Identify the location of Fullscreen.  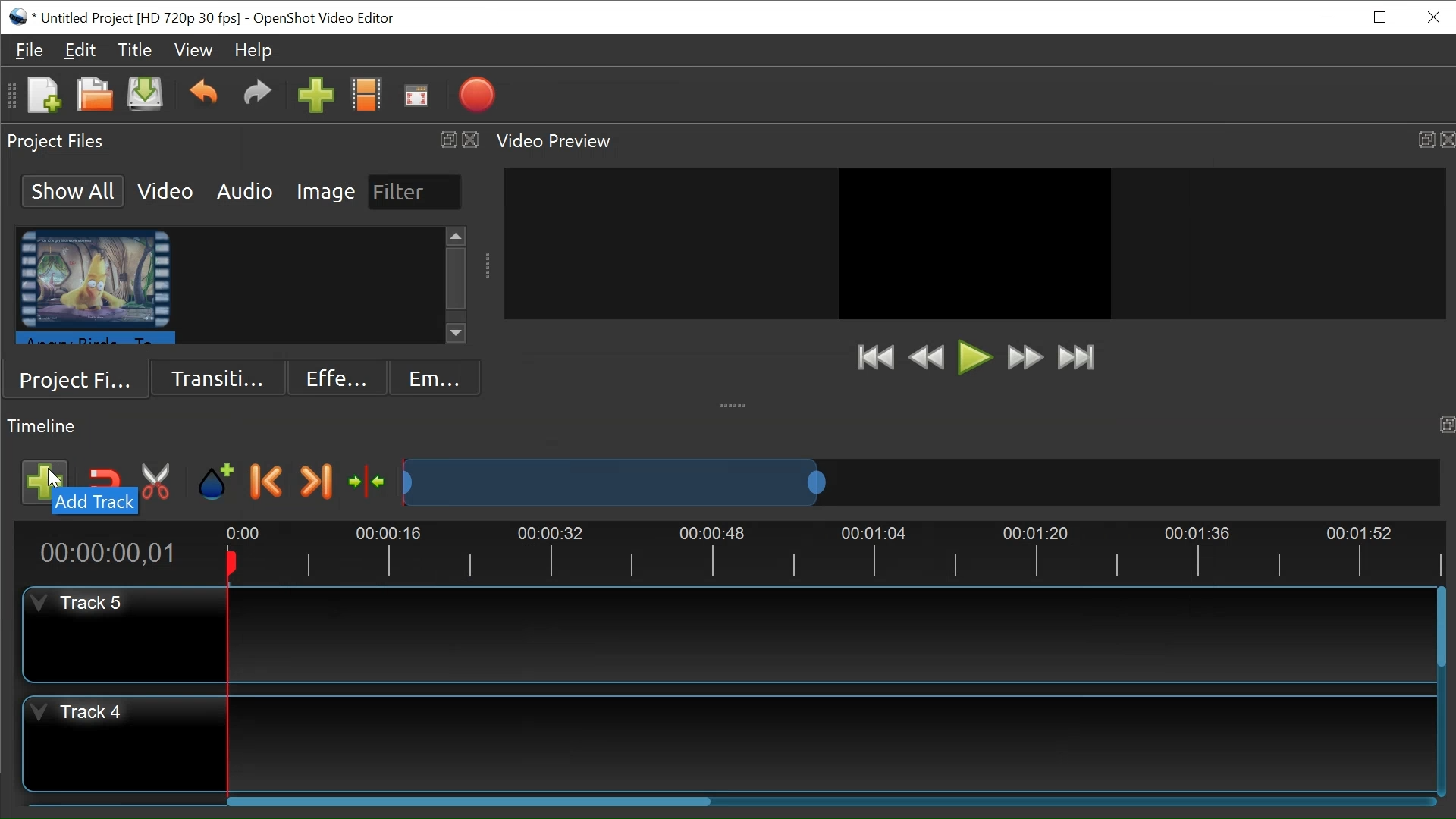
(416, 95).